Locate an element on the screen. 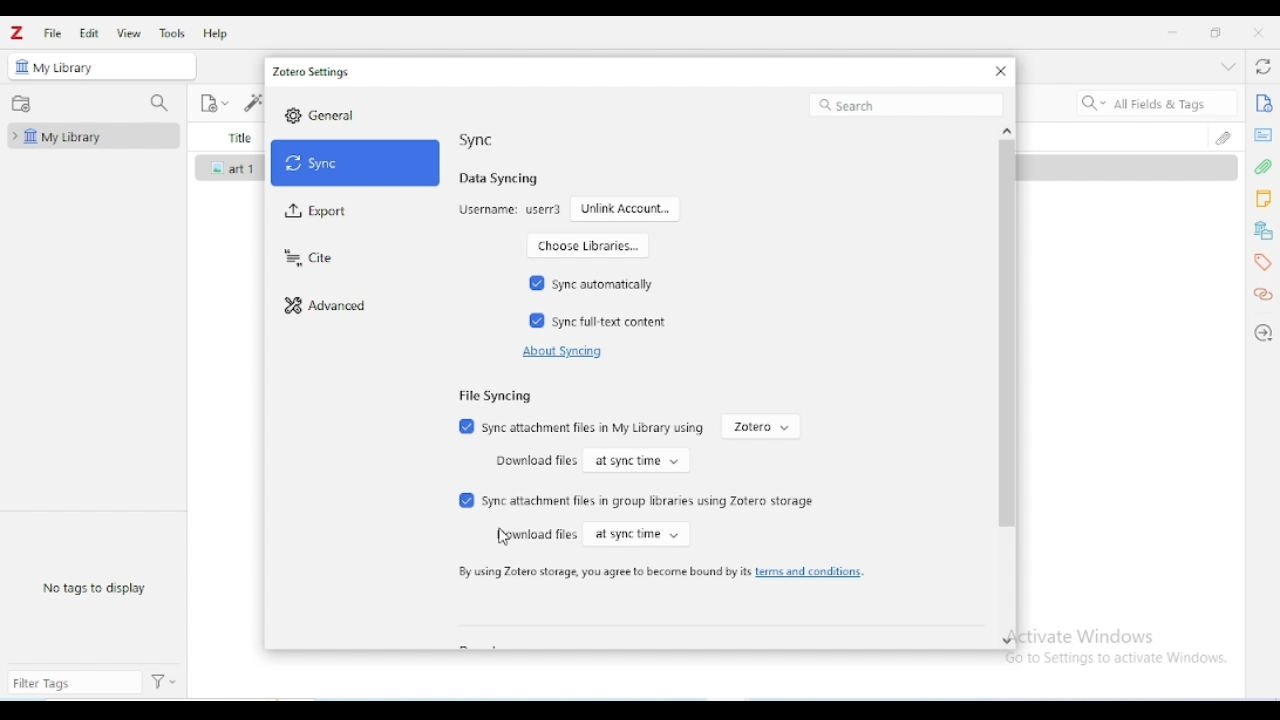 The height and width of the screenshot is (720, 1280). filter collections is located at coordinates (158, 103).